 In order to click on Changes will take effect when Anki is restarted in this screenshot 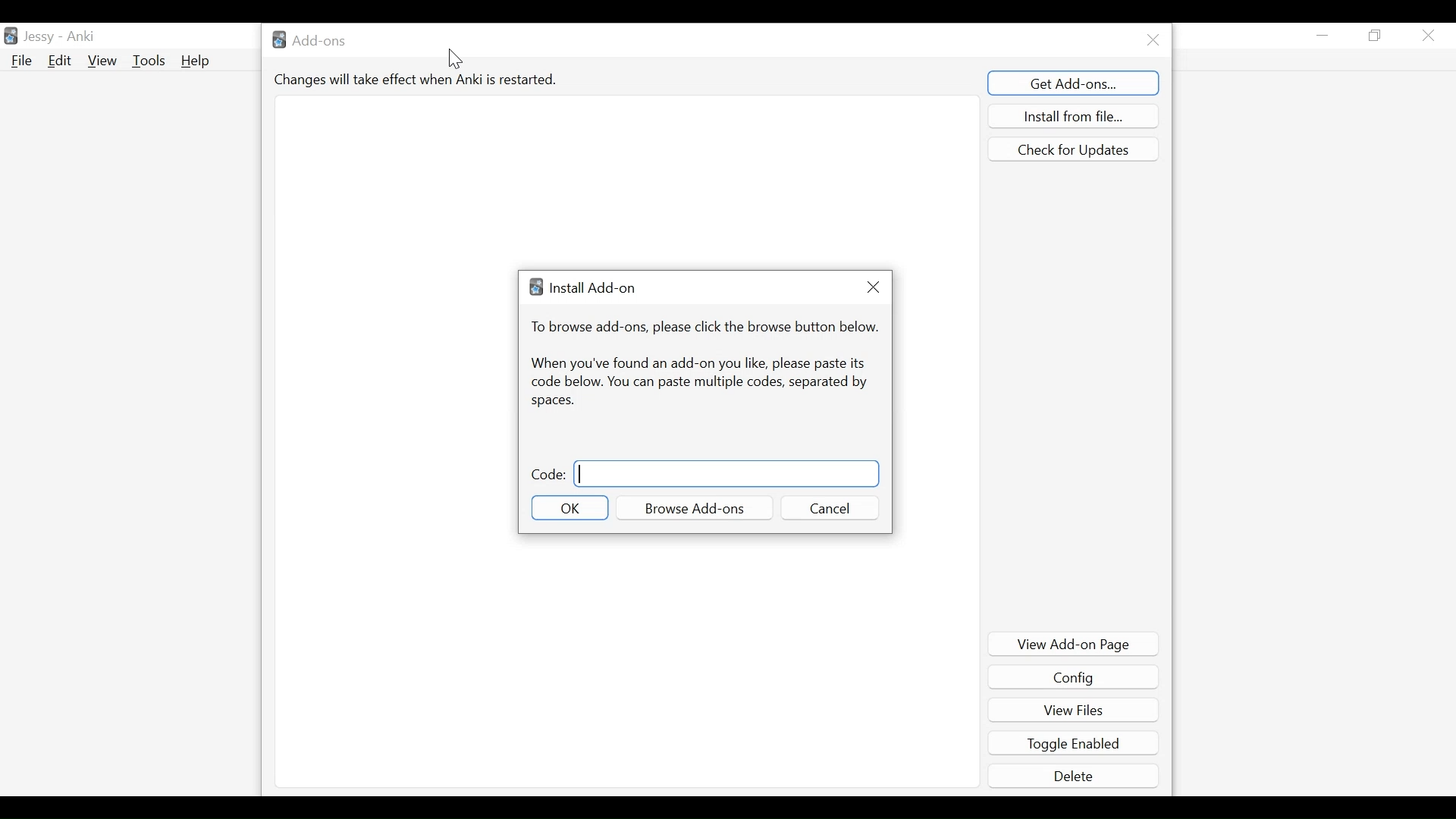, I will do `click(418, 79)`.